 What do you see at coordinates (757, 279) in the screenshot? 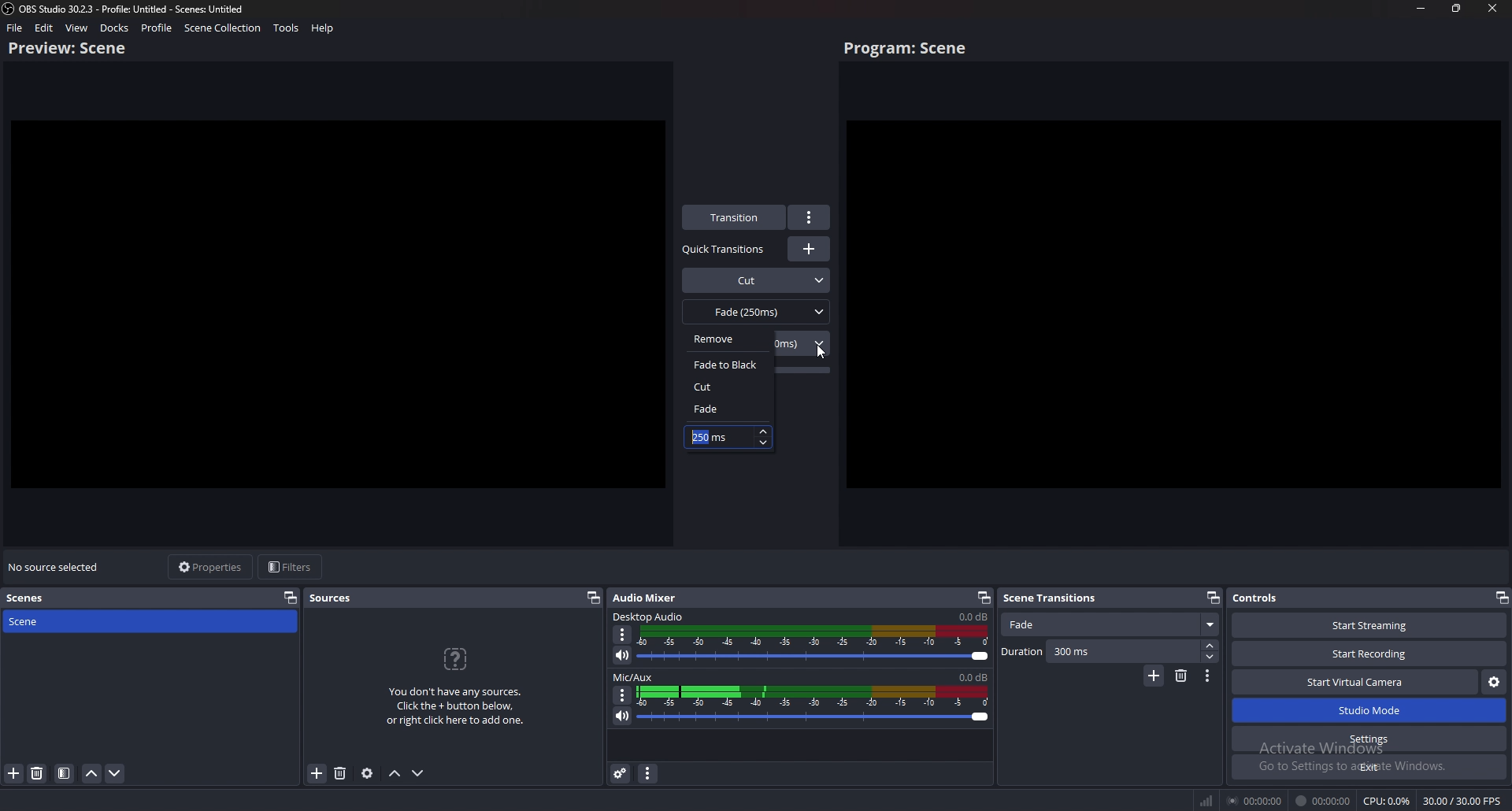
I see `Cut` at bounding box center [757, 279].